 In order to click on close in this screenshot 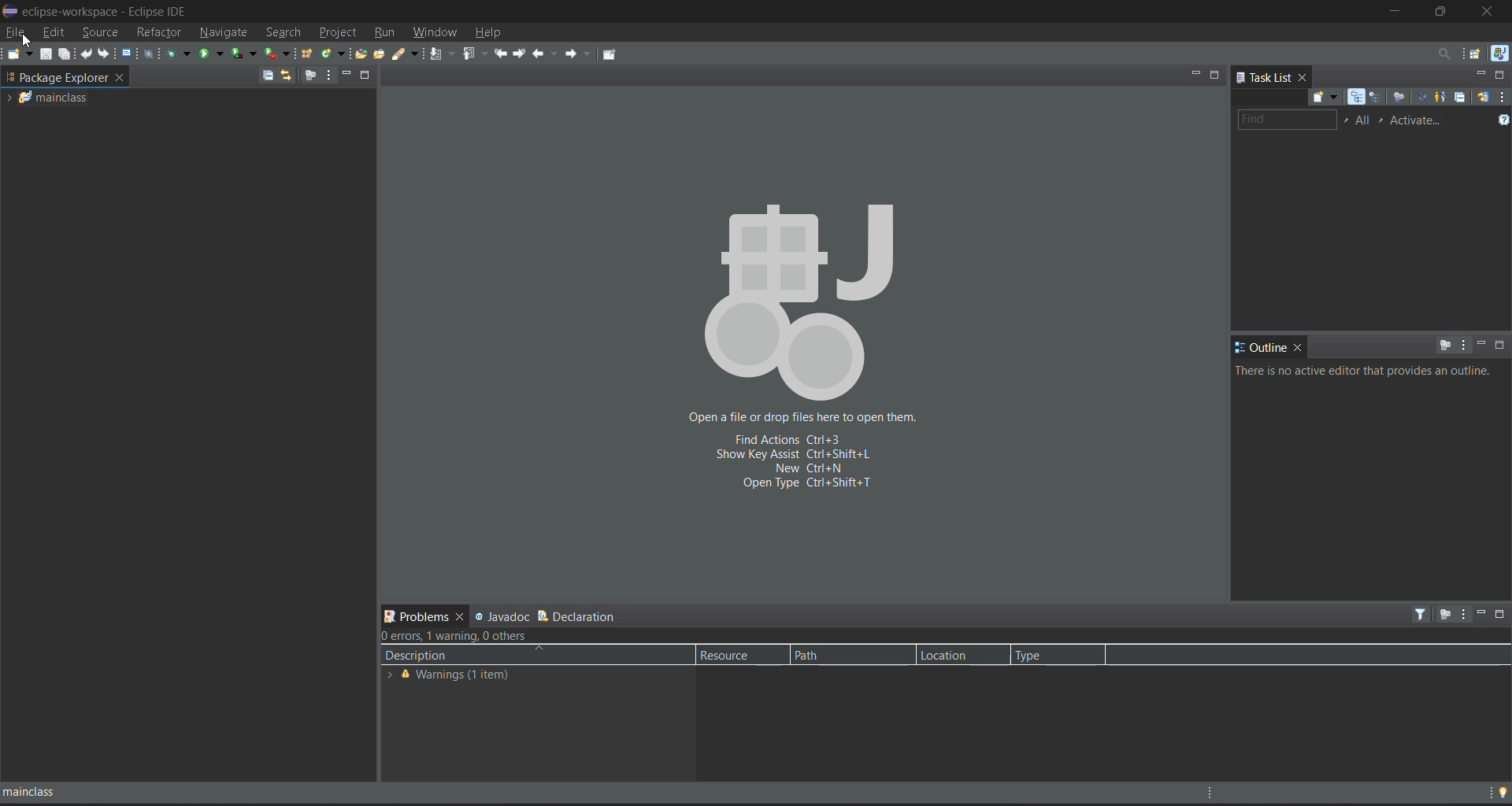, I will do `click(1303, 76)`.